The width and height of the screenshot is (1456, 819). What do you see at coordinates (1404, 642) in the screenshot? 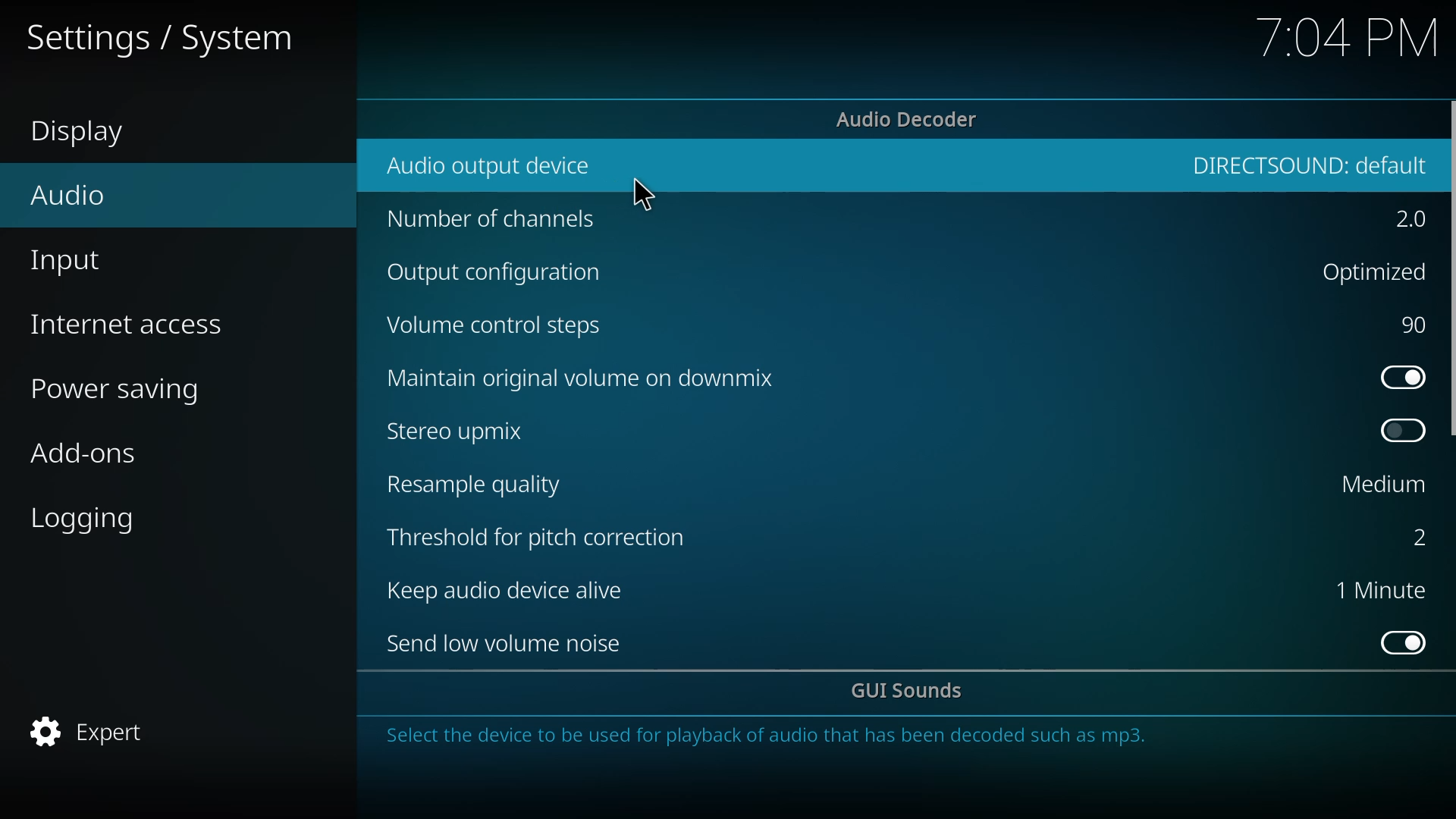
I see `enable` at bounding box center [1404, 642].